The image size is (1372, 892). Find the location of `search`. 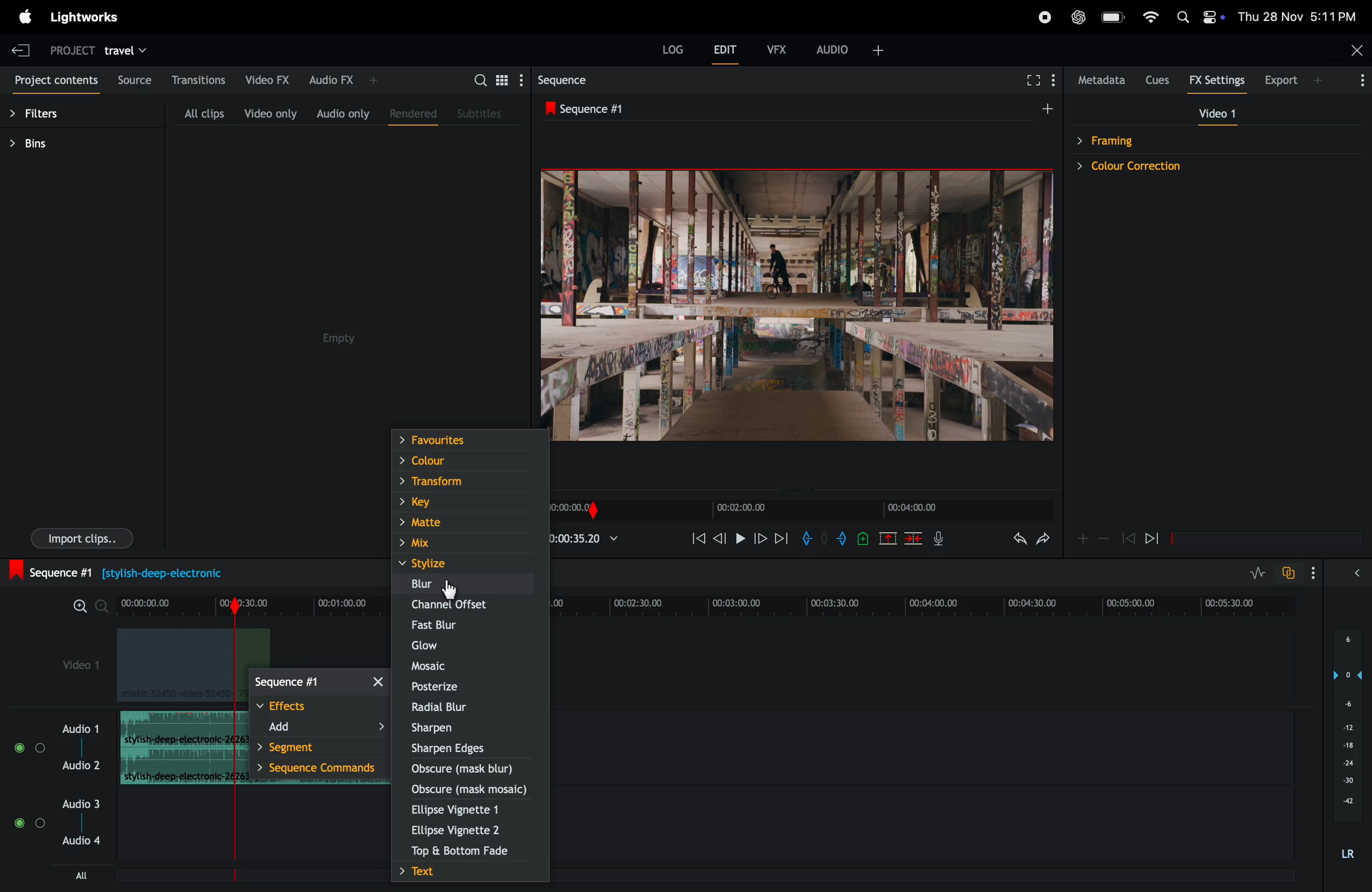

search is located at coordinates (480, 80).